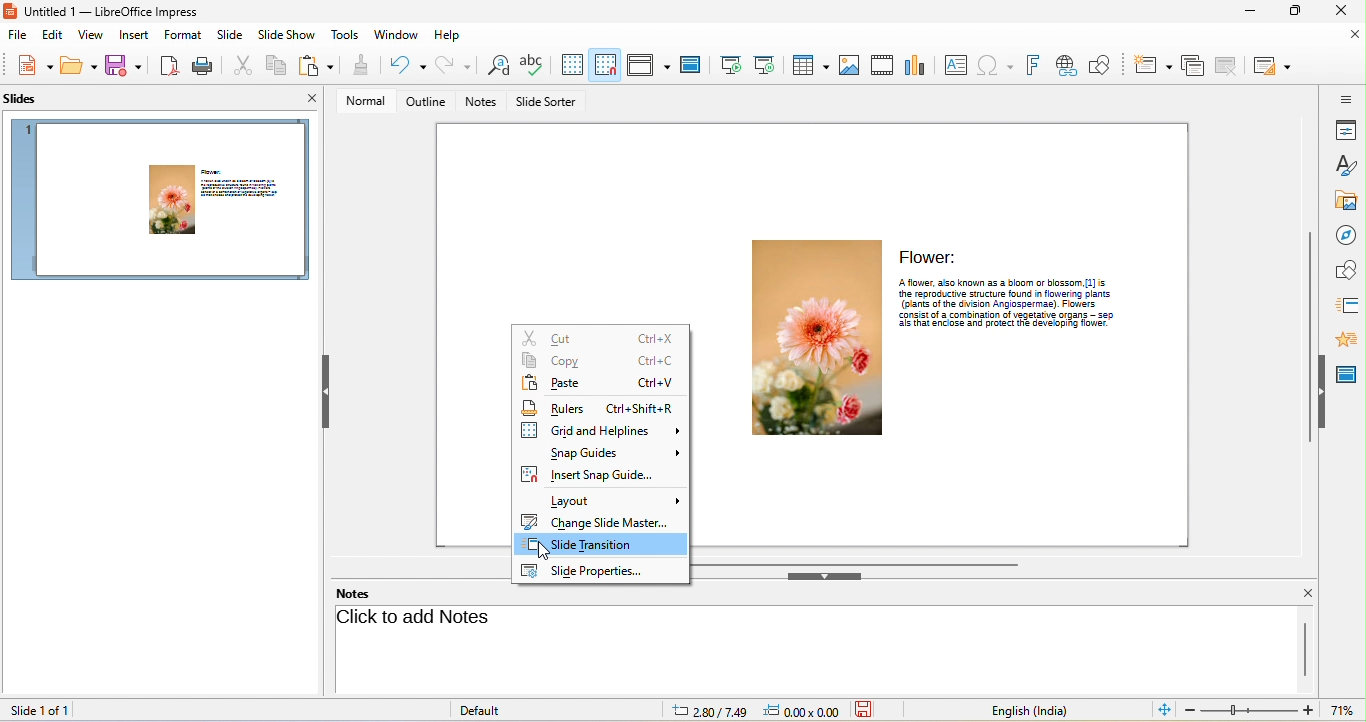 The height and width of the screenshot is (722, 1366). What do you see at coordinates (1272, 66) in the screenshot?
I see `slide layout` at bounding box center [1272, 66].